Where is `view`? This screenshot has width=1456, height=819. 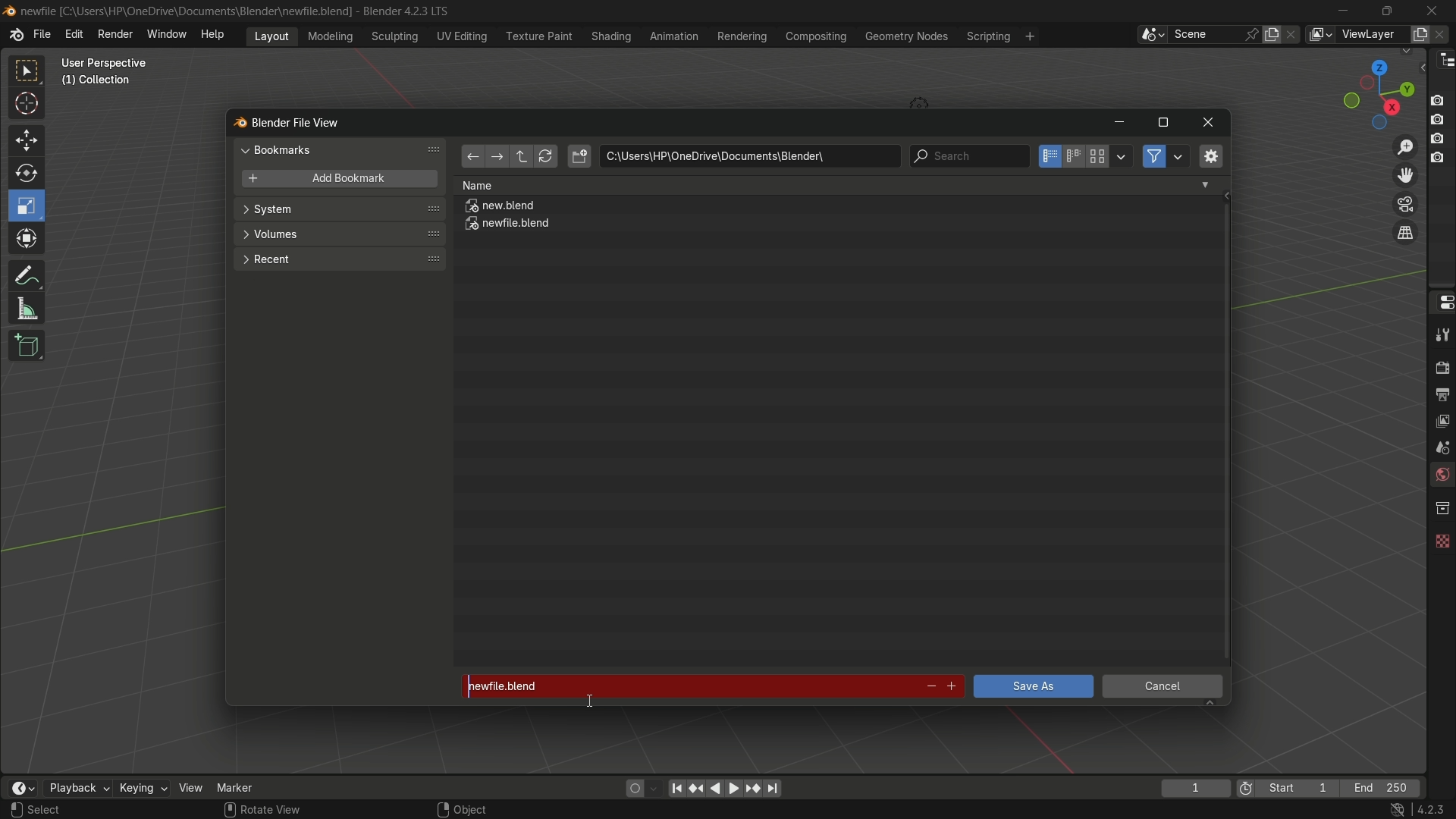 view is located at coordinates (191, 787).